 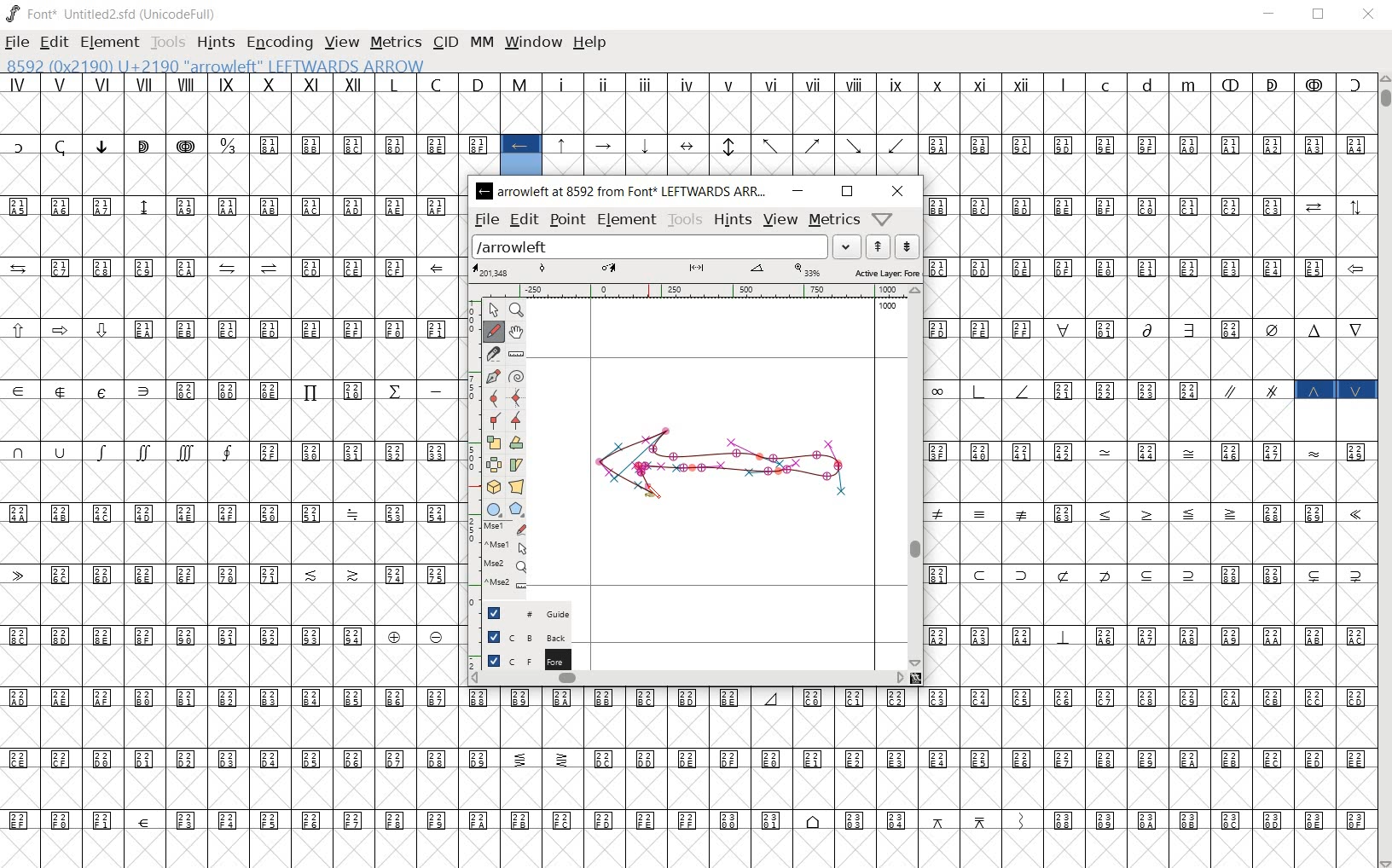 I want to click on add a curve point, so click(x=492, y=397).